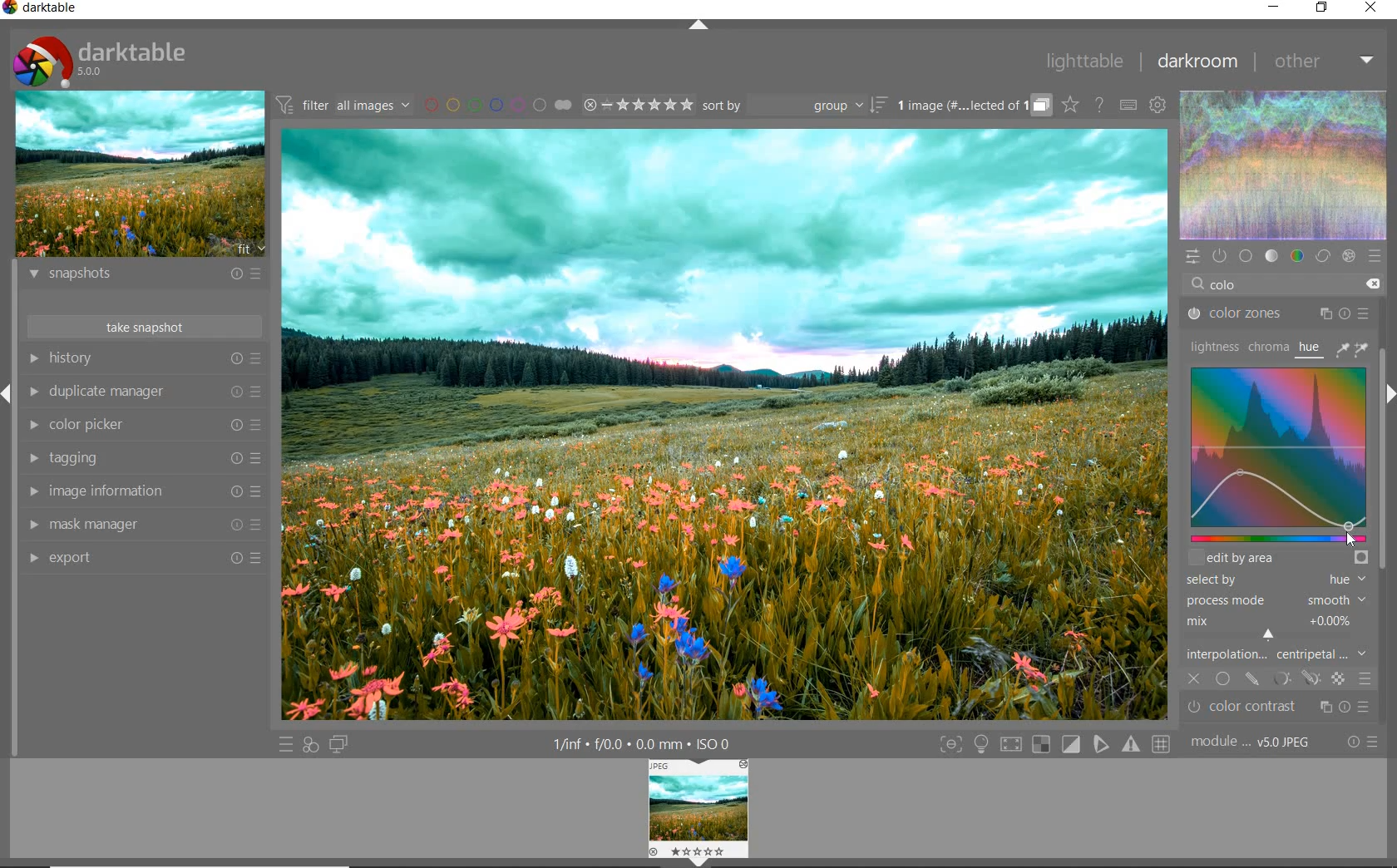  What do you see at coordinates (1279, 316) in the screenshot?
I see `color zones` at bounding box center [1279, 316].